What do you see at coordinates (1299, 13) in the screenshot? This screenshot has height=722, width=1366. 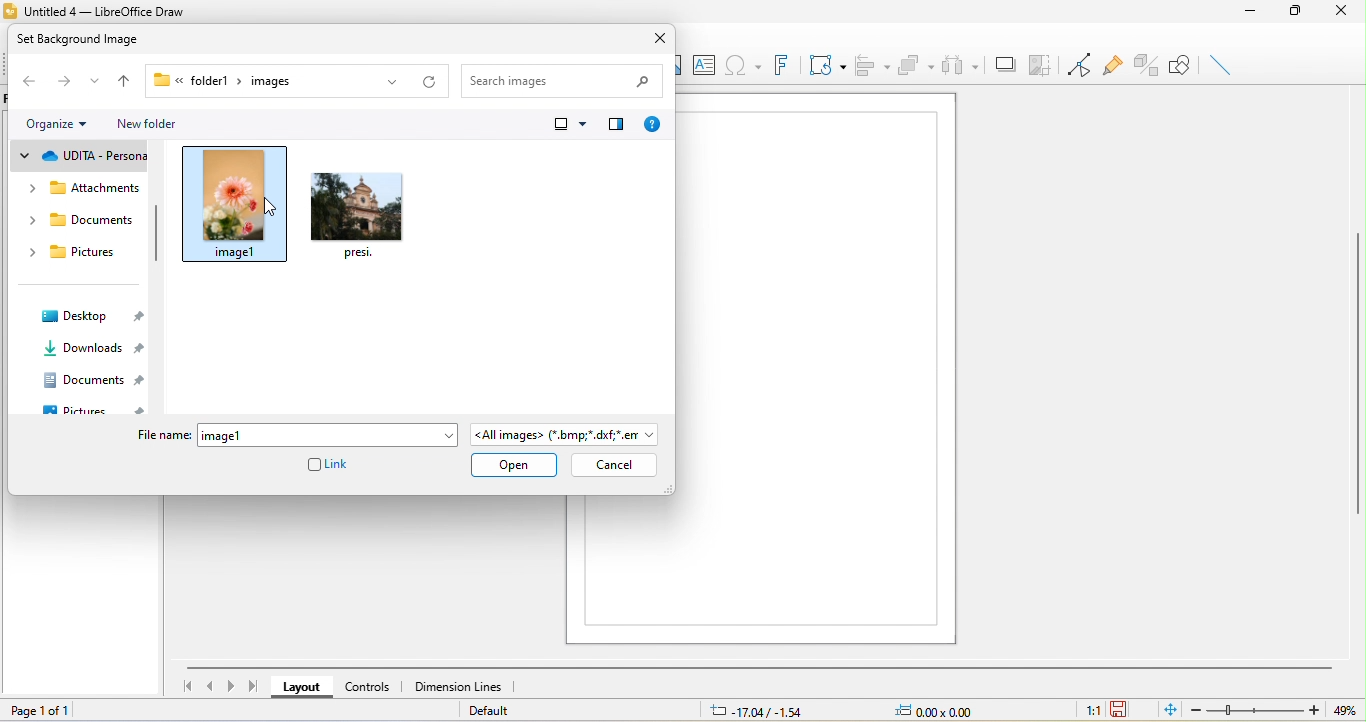 I see `maximize` at bounding box center [1299, 13].